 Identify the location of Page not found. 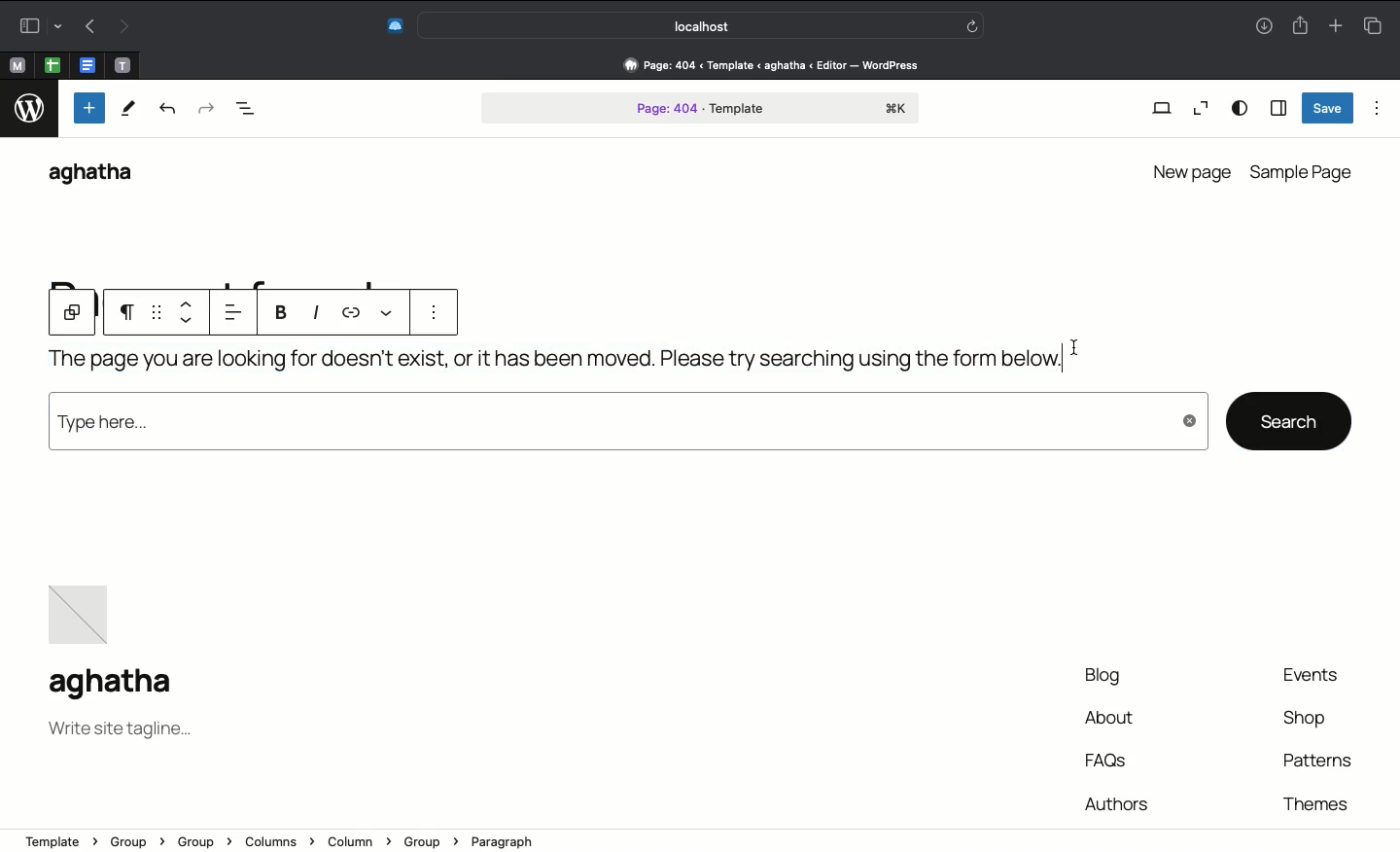
(550, 366).